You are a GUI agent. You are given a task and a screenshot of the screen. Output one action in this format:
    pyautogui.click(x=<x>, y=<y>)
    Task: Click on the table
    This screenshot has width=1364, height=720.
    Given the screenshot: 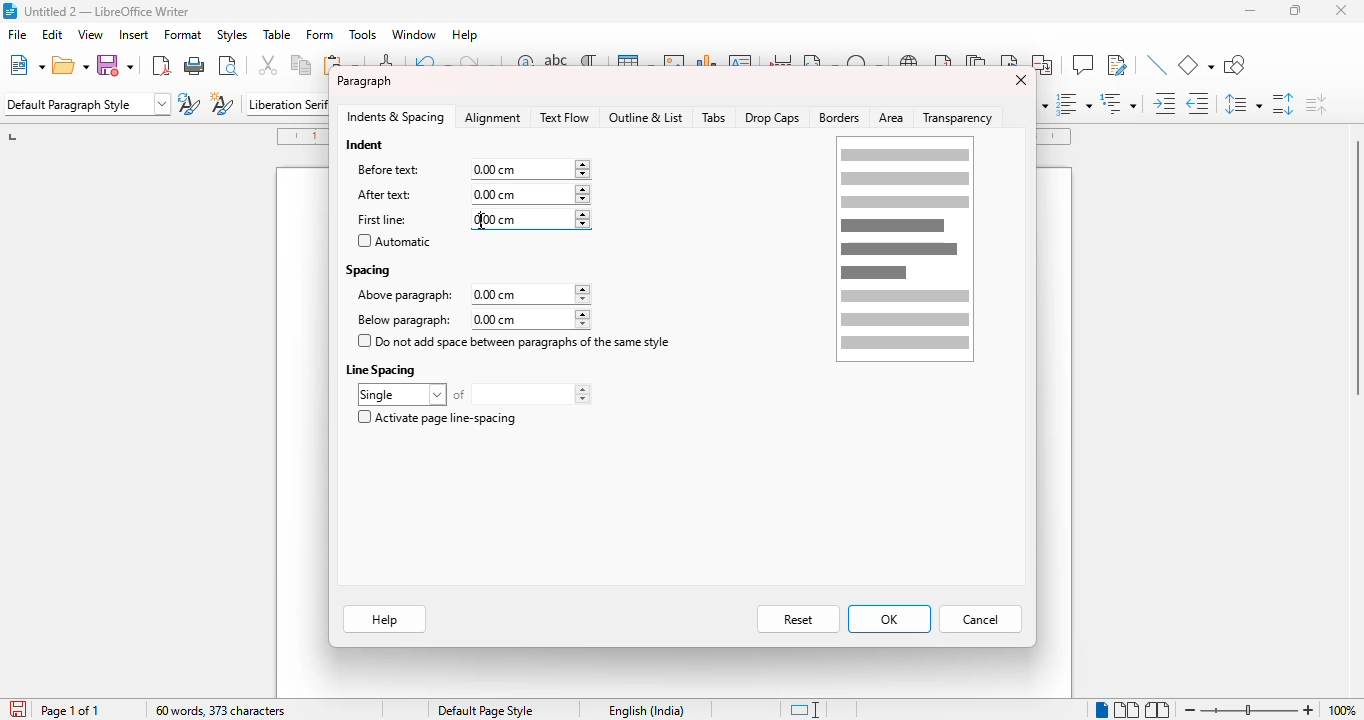 What is the action you would take?
    pyautogui.click(x=277, y=35)
    